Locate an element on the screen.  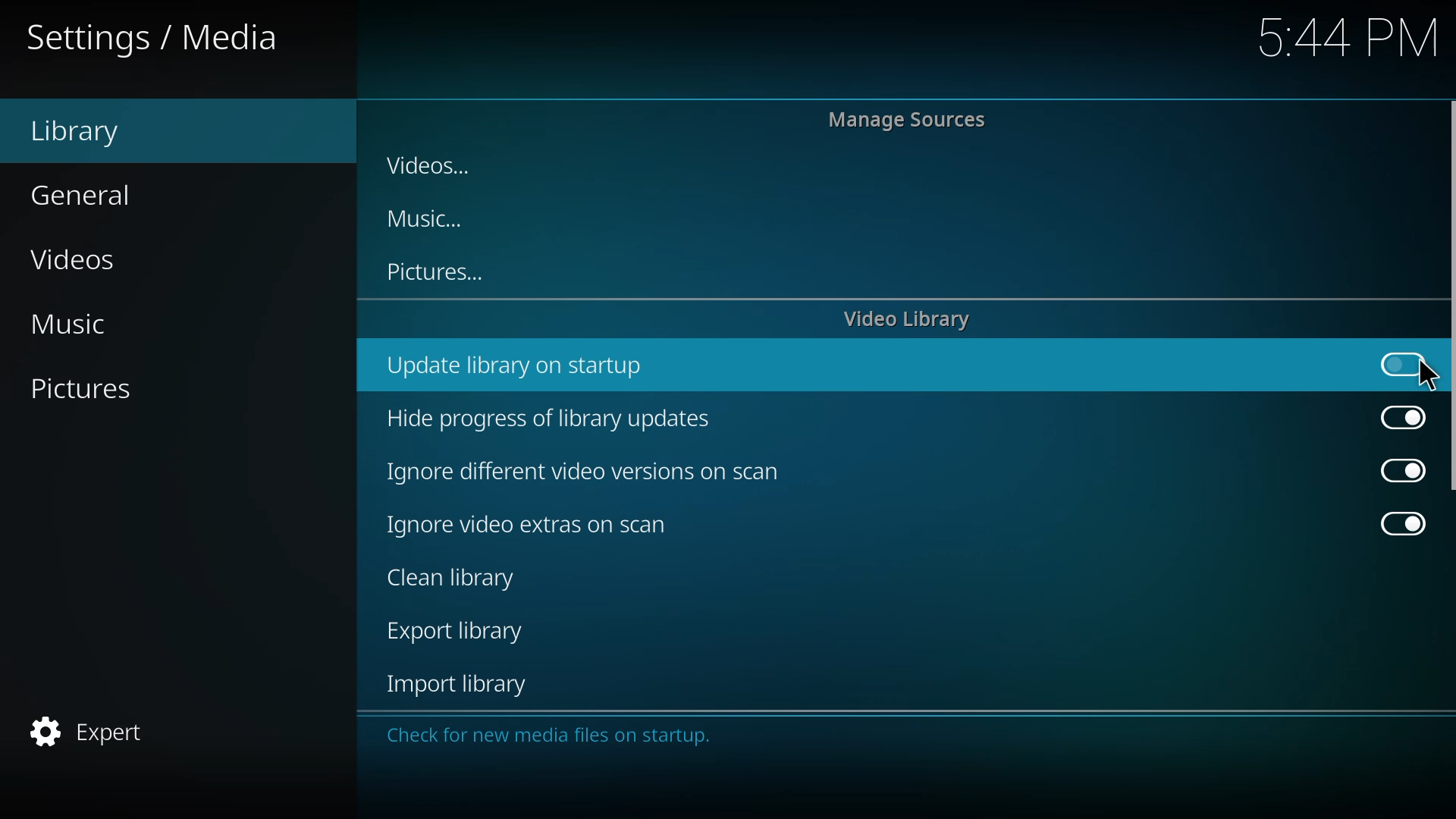
update library on startup is located at coordinates (513, 366).